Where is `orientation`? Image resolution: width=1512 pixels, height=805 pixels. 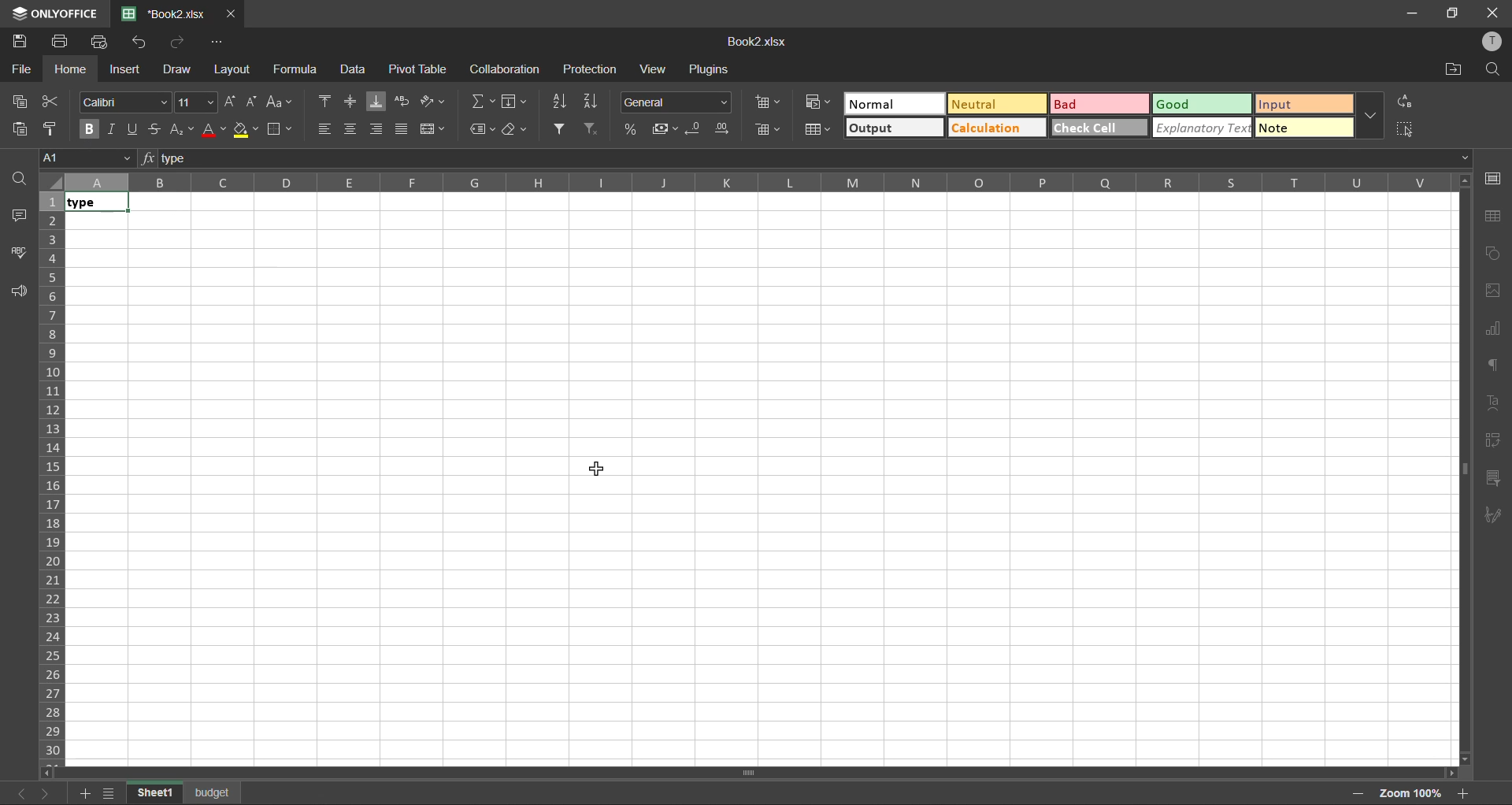
orientation is located at coordinates (432, 101).